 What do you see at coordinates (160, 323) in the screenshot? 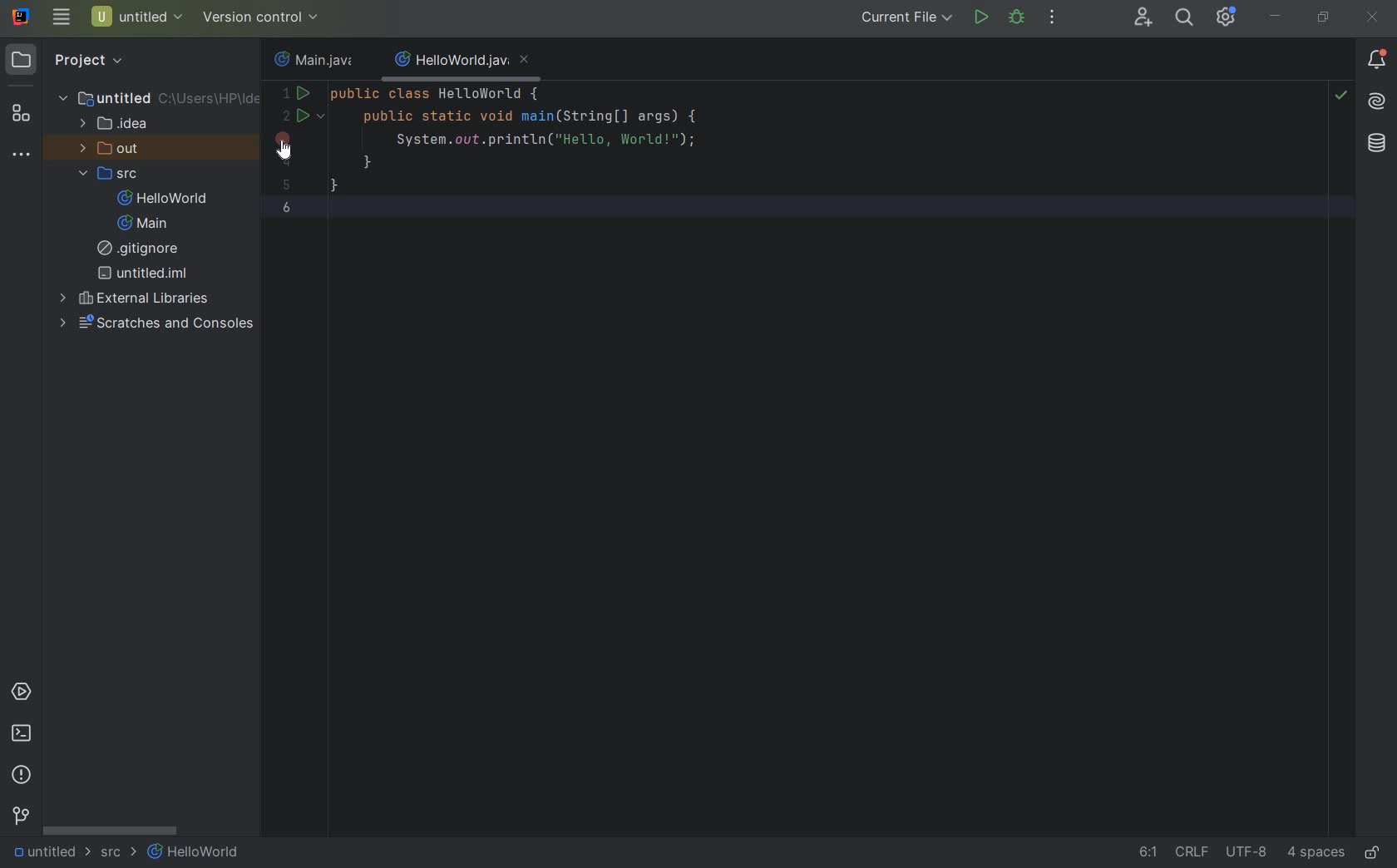
I see `scratches and consoles` at bounding box center [160, 323].